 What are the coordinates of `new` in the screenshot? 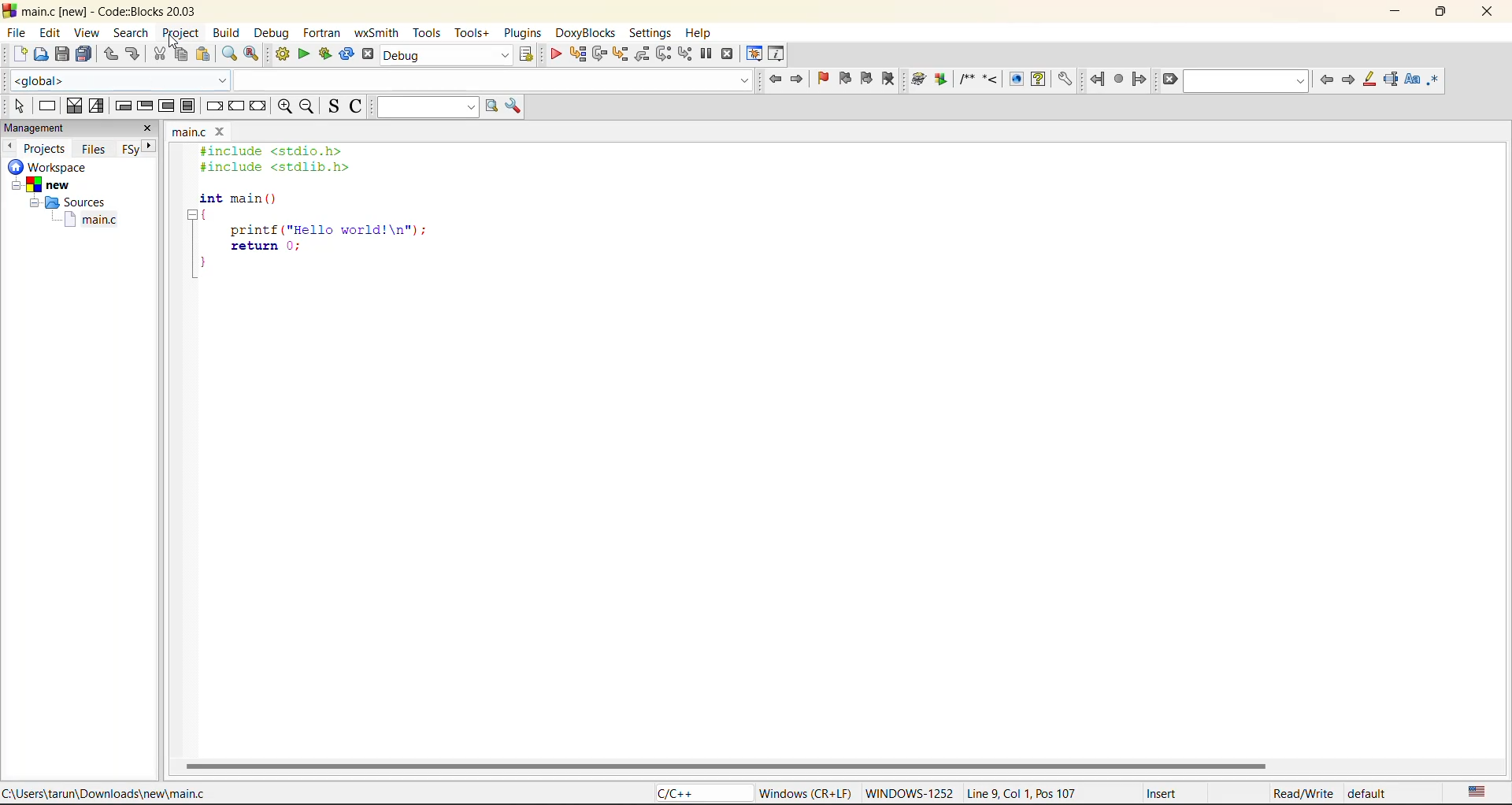 It's located at (63, 184).